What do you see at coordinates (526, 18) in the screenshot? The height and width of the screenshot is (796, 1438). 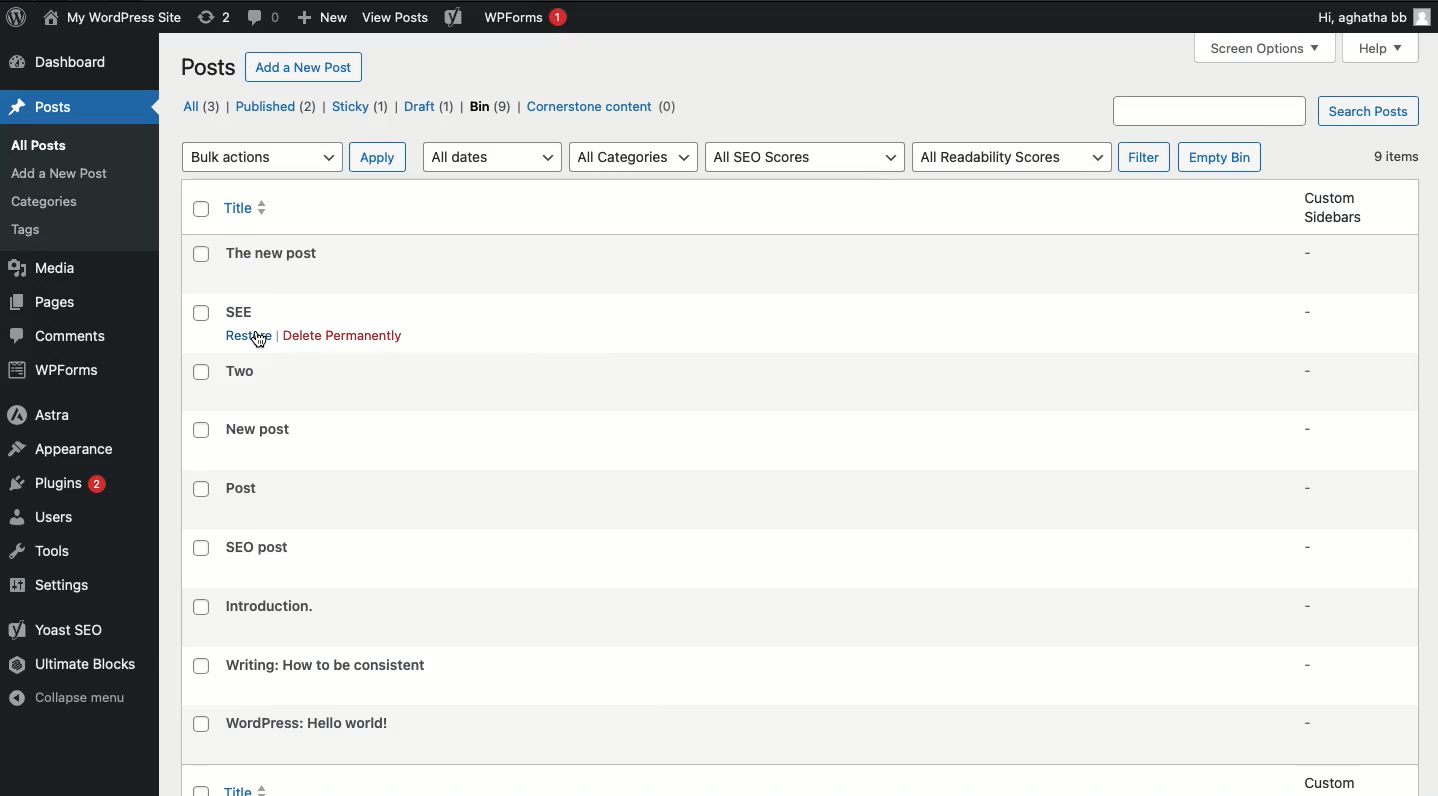 I see `WPForms` at bounding box center [526, 18].